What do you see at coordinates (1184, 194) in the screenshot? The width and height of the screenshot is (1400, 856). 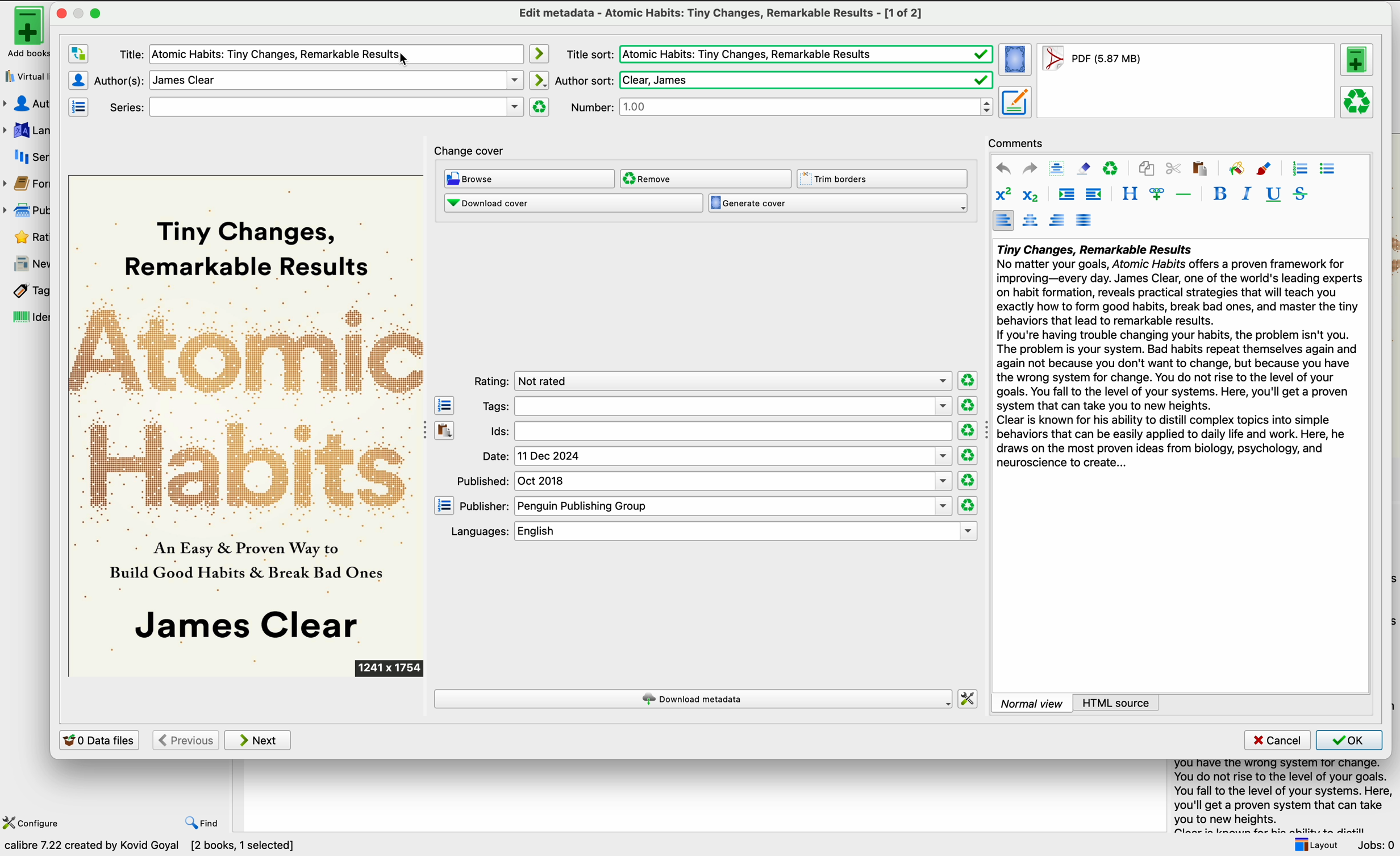 I see `insert separator` at bounding box center [1184, 194].